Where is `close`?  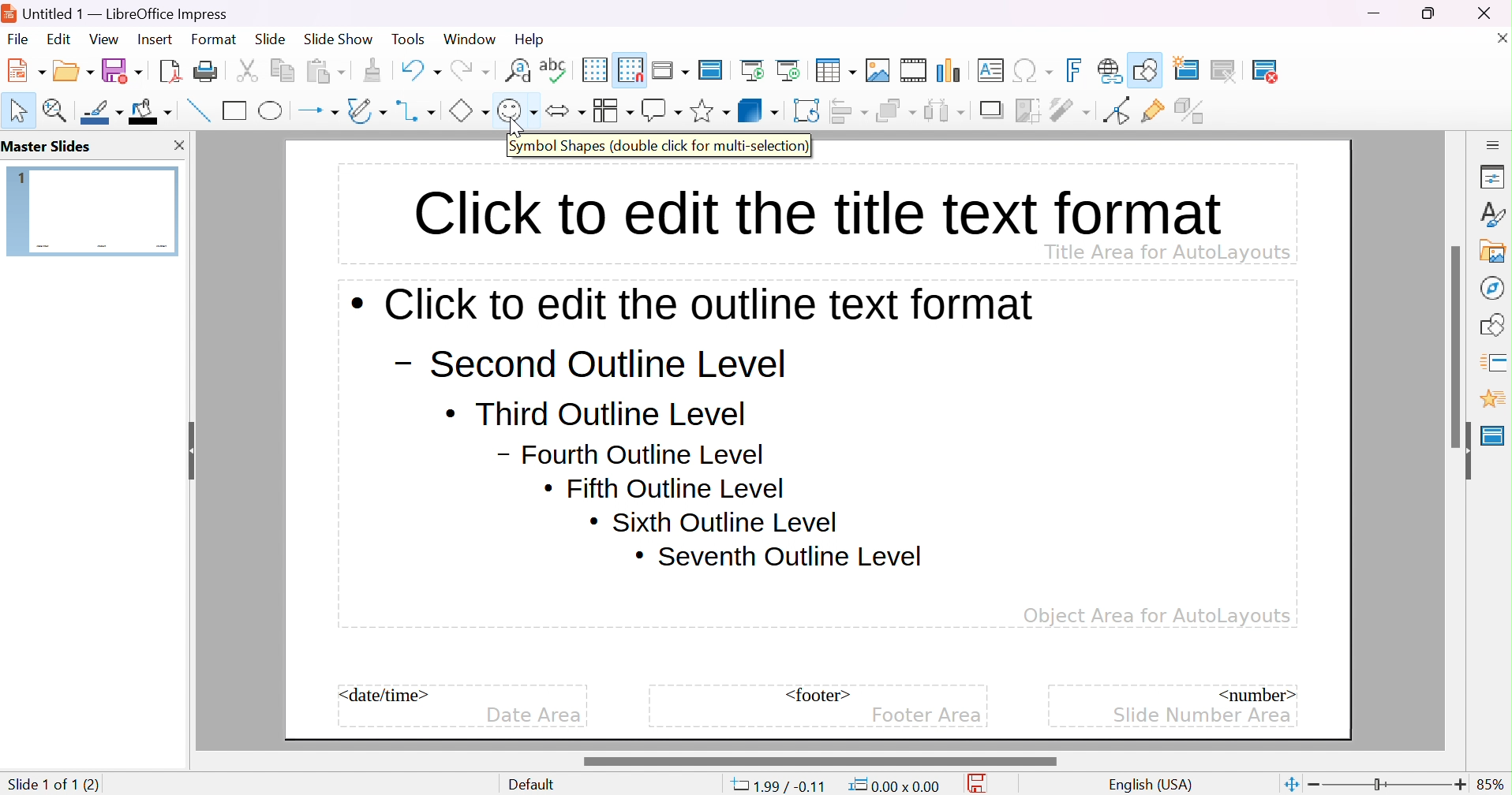 close is located at coordinates (178, 145).